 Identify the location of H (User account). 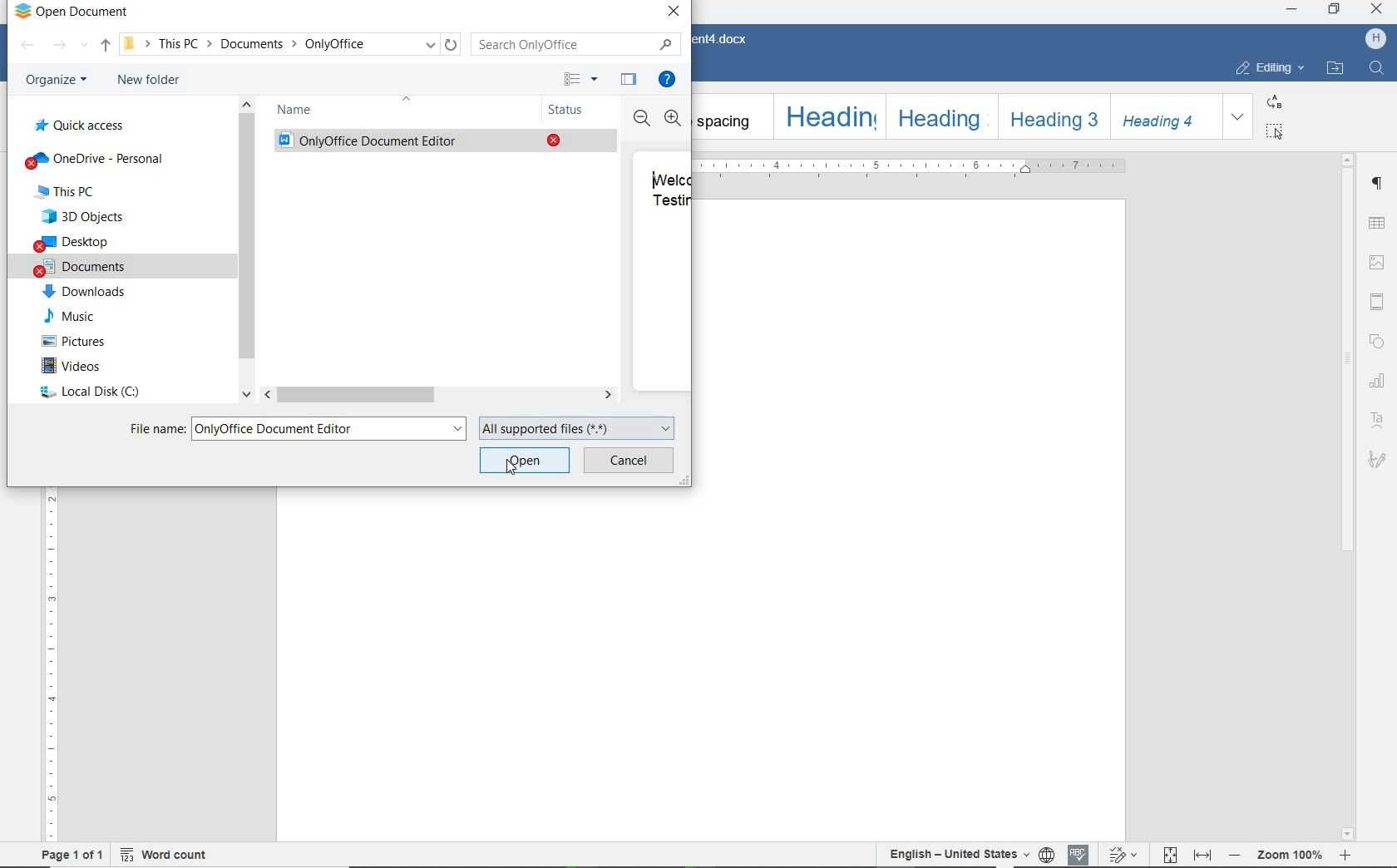
(1377, 40).